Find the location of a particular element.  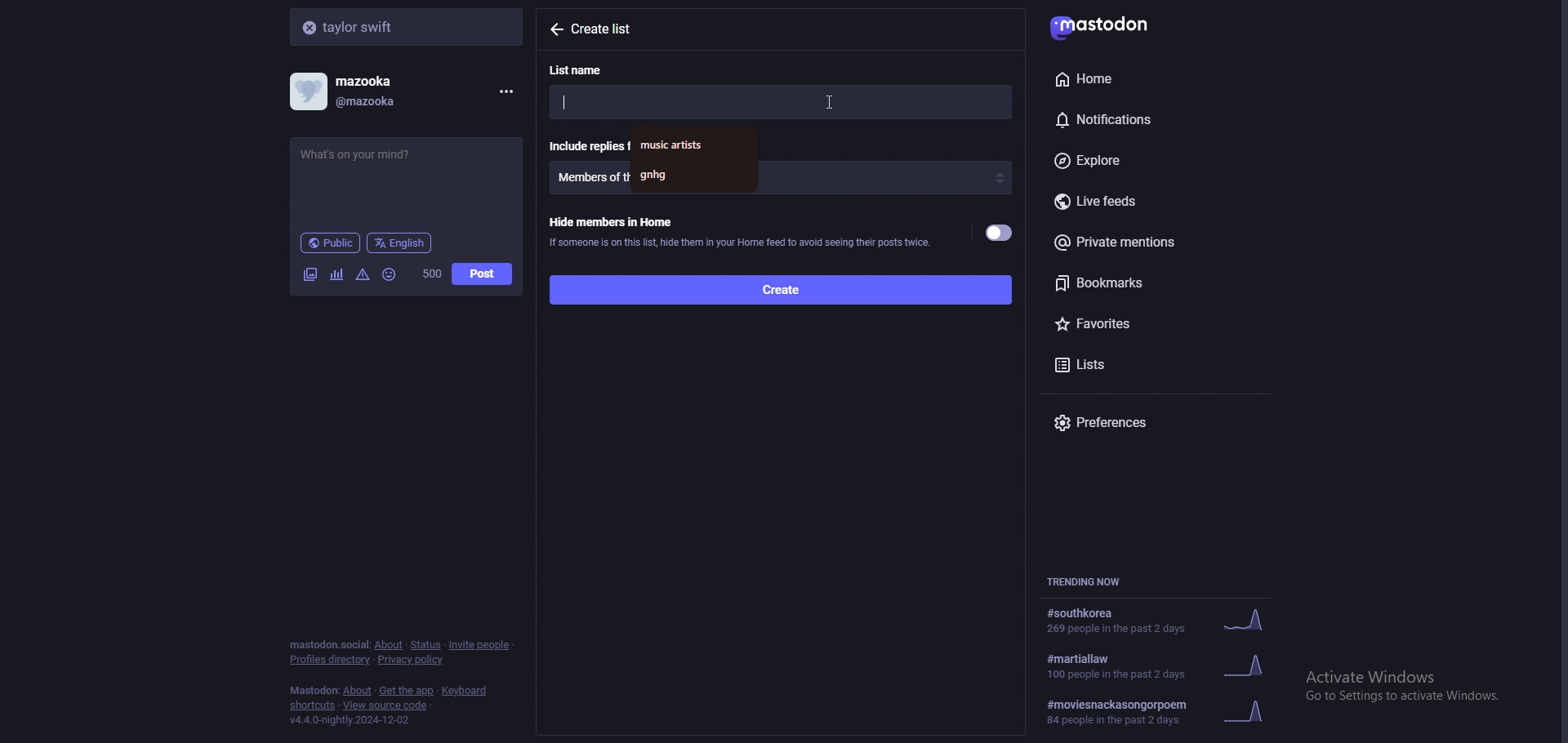

poll is located at coordinates (336, 274).